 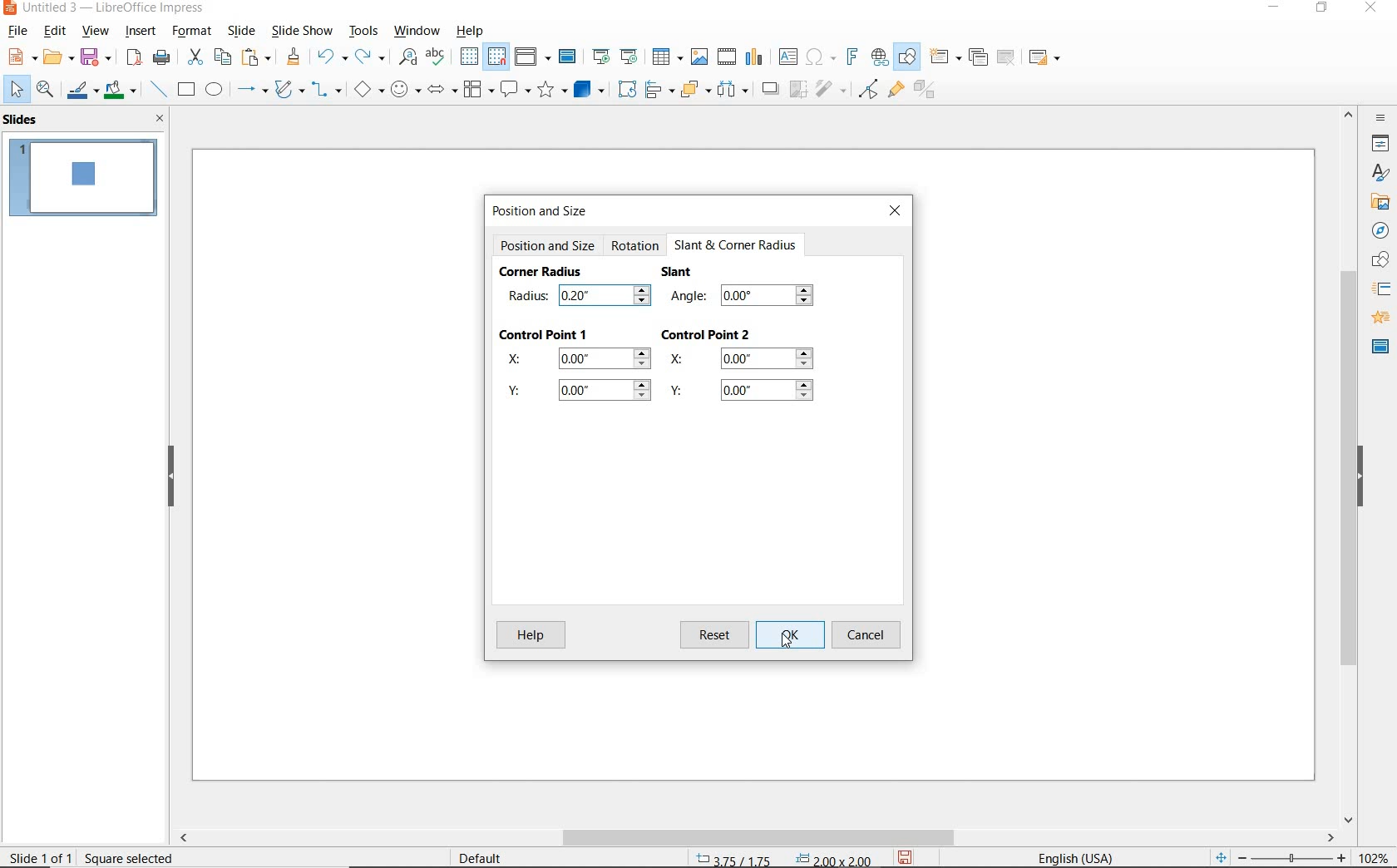 I want to click on scrollbar, so click(x=1349, y=466).